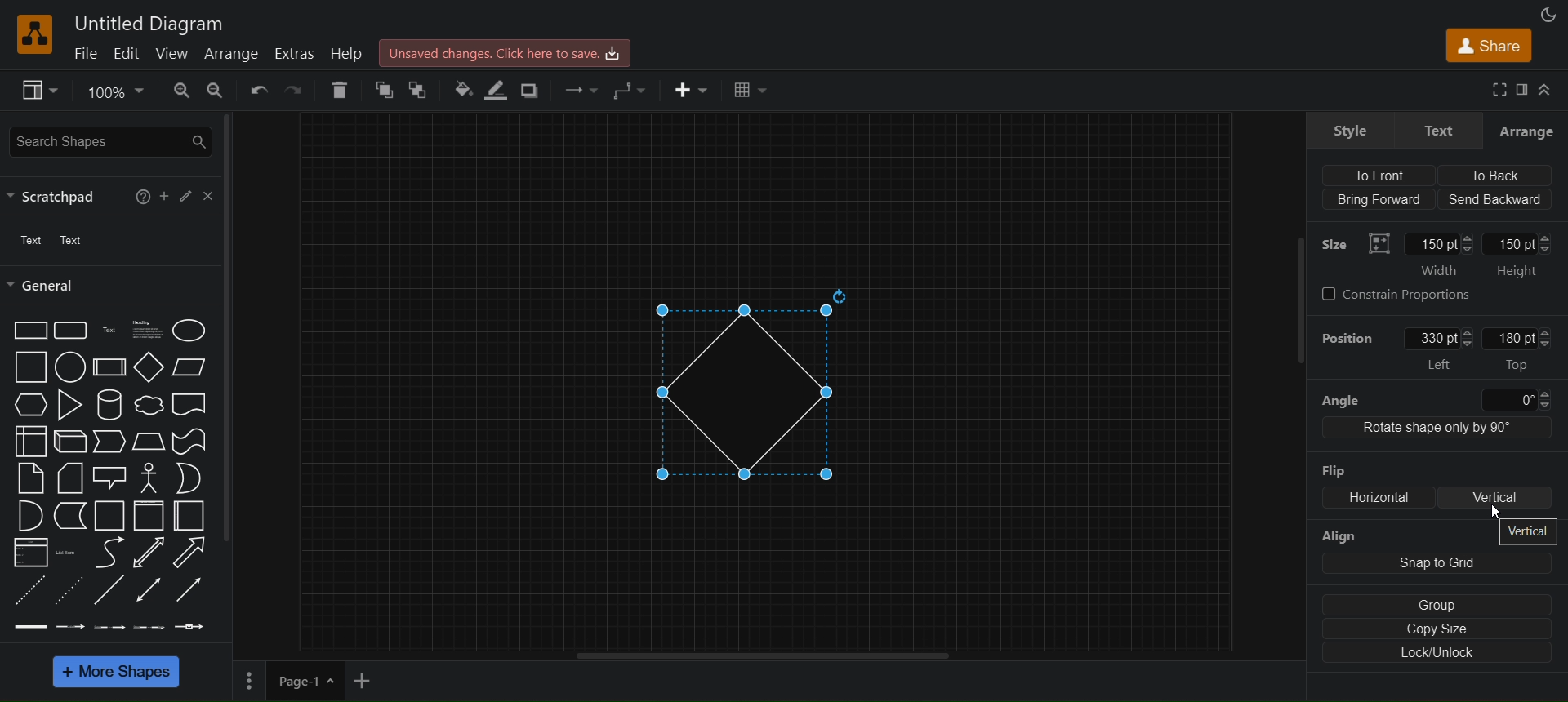 Image resolution: width=1568 pixels, height=702 pixels. What do you see at coordinates (69, 441) in the screenshot?
I see `cube` at bounding box center [69, 441].